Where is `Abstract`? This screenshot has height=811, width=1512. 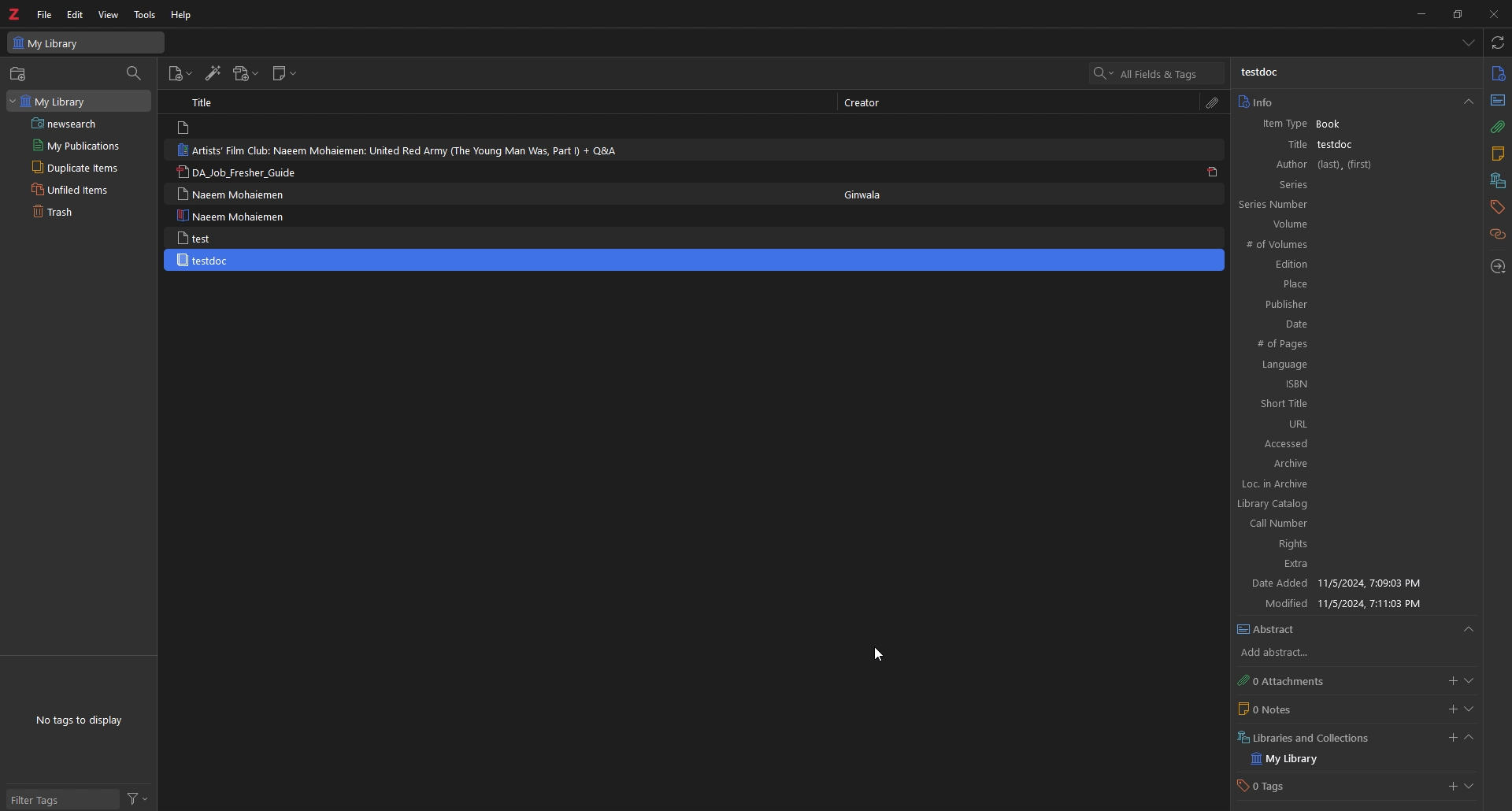 Abstract is located at coordinates (1356, 630).